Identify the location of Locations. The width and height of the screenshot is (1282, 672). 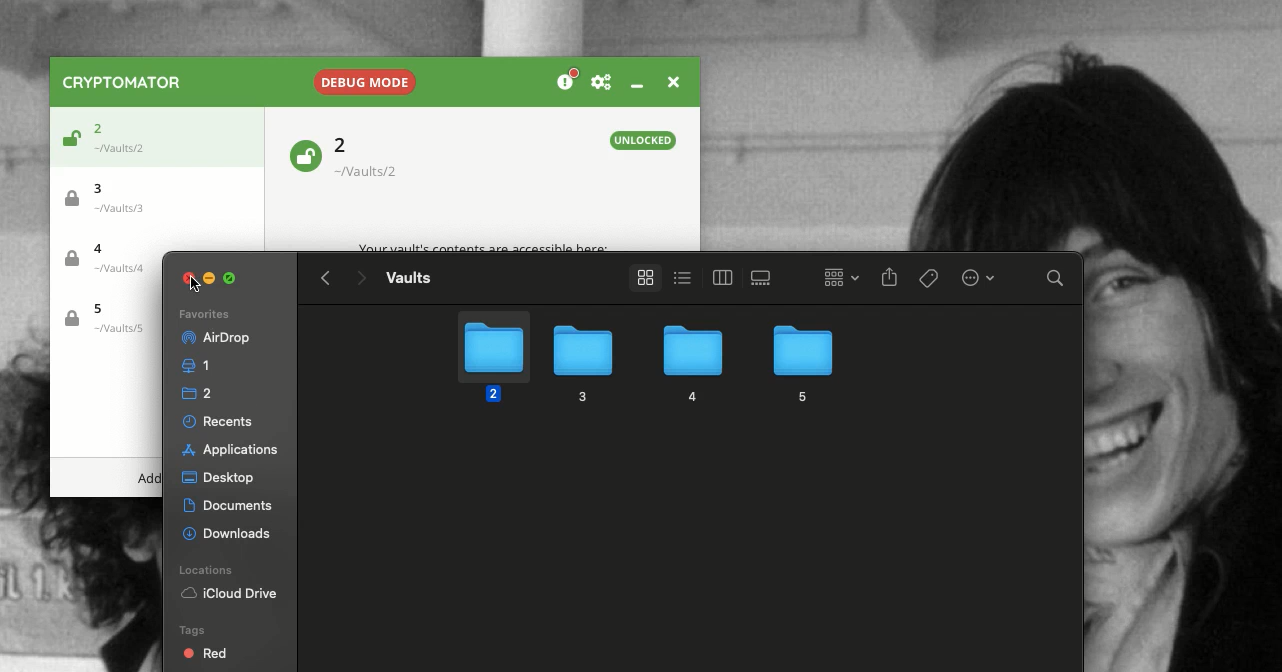
(225, 535).